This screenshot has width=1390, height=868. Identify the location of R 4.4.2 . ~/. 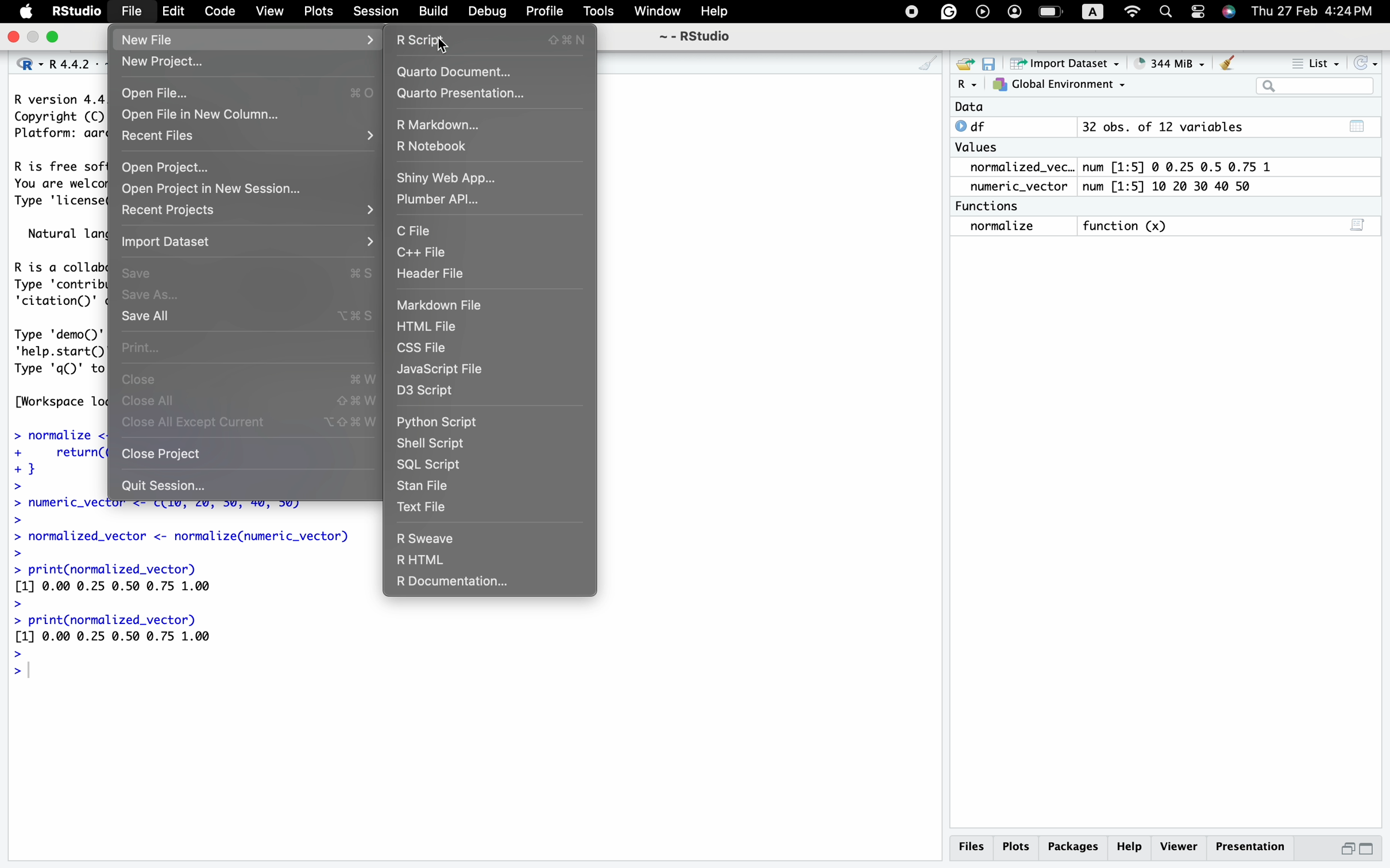
(74, 64).